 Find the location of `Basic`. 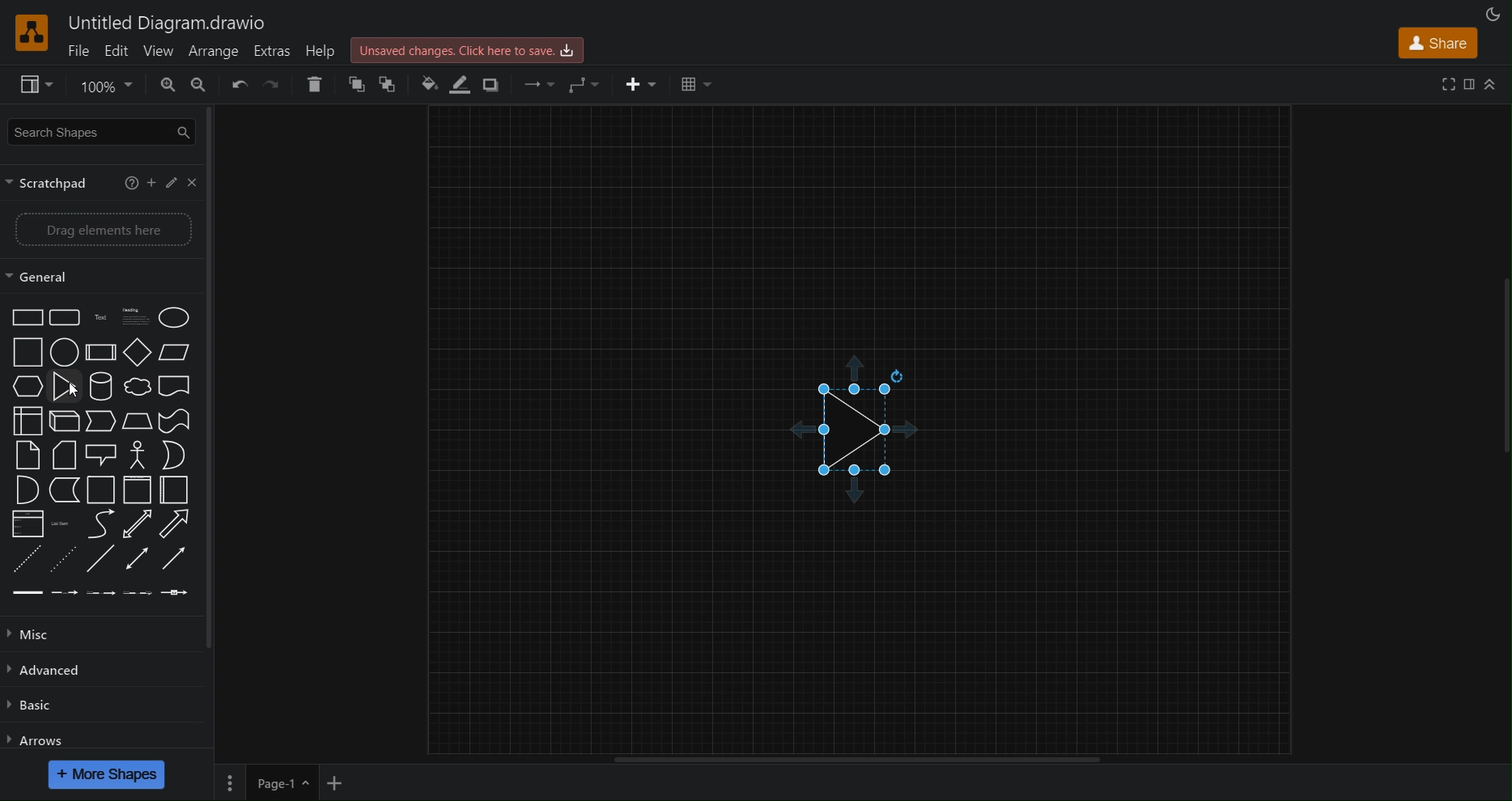

Basic is located at coordinates (40, 708).